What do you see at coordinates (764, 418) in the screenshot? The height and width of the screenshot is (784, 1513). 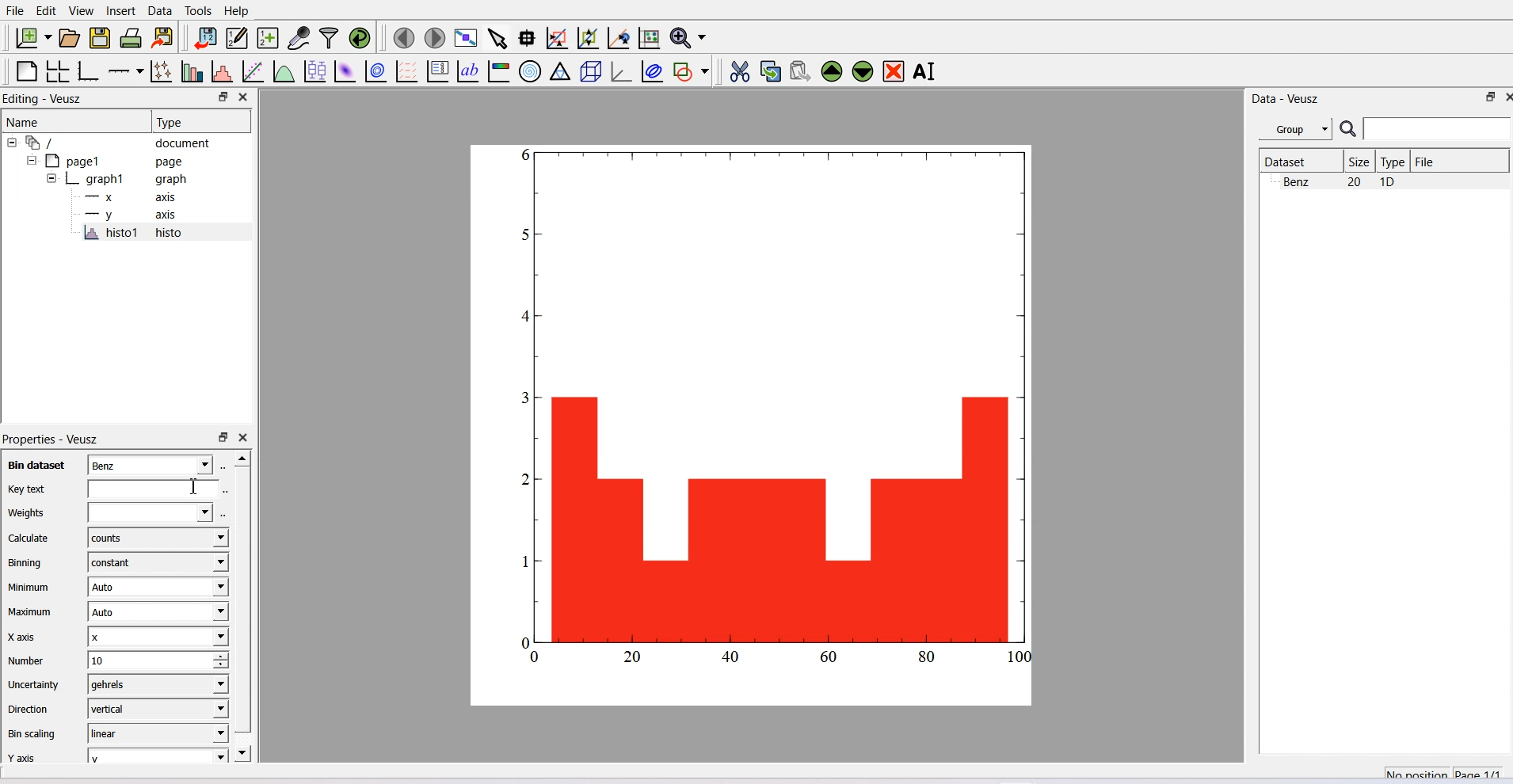 I see `Histogram` at bounding box center [764, 418].